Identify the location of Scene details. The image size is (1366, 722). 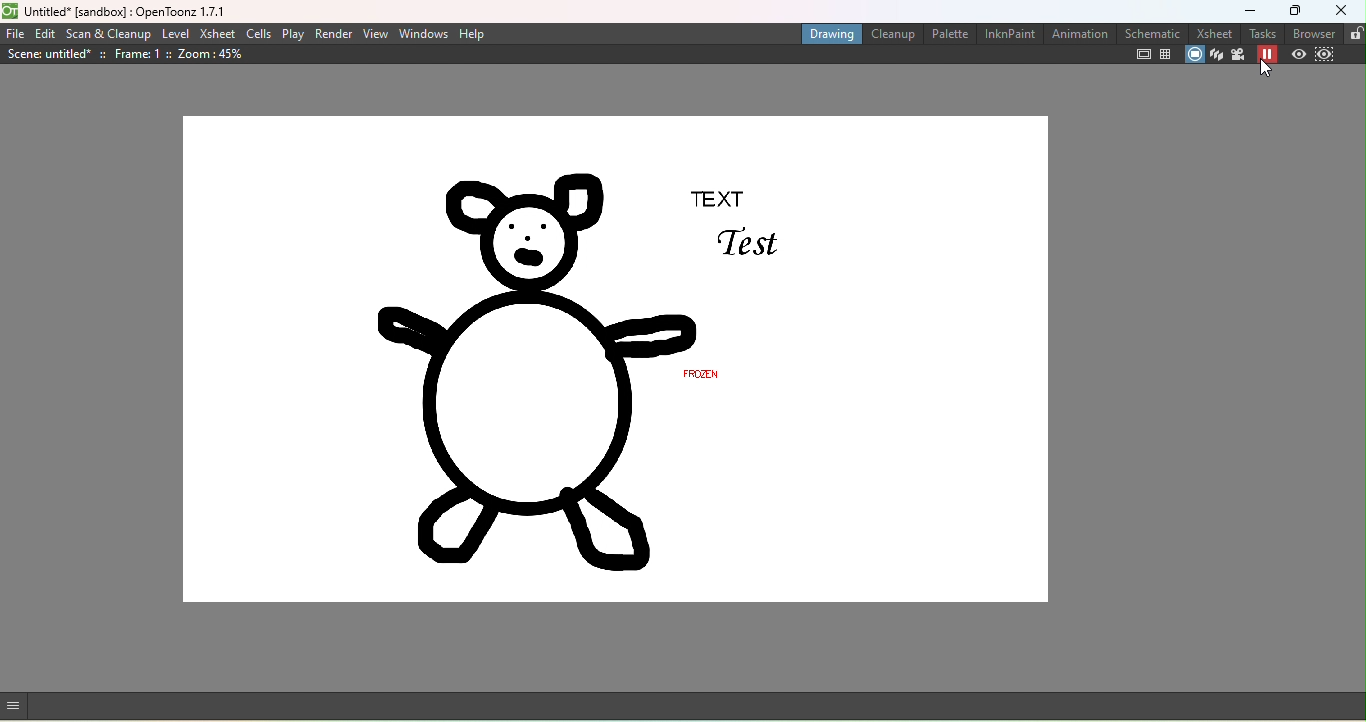
(135, 56).